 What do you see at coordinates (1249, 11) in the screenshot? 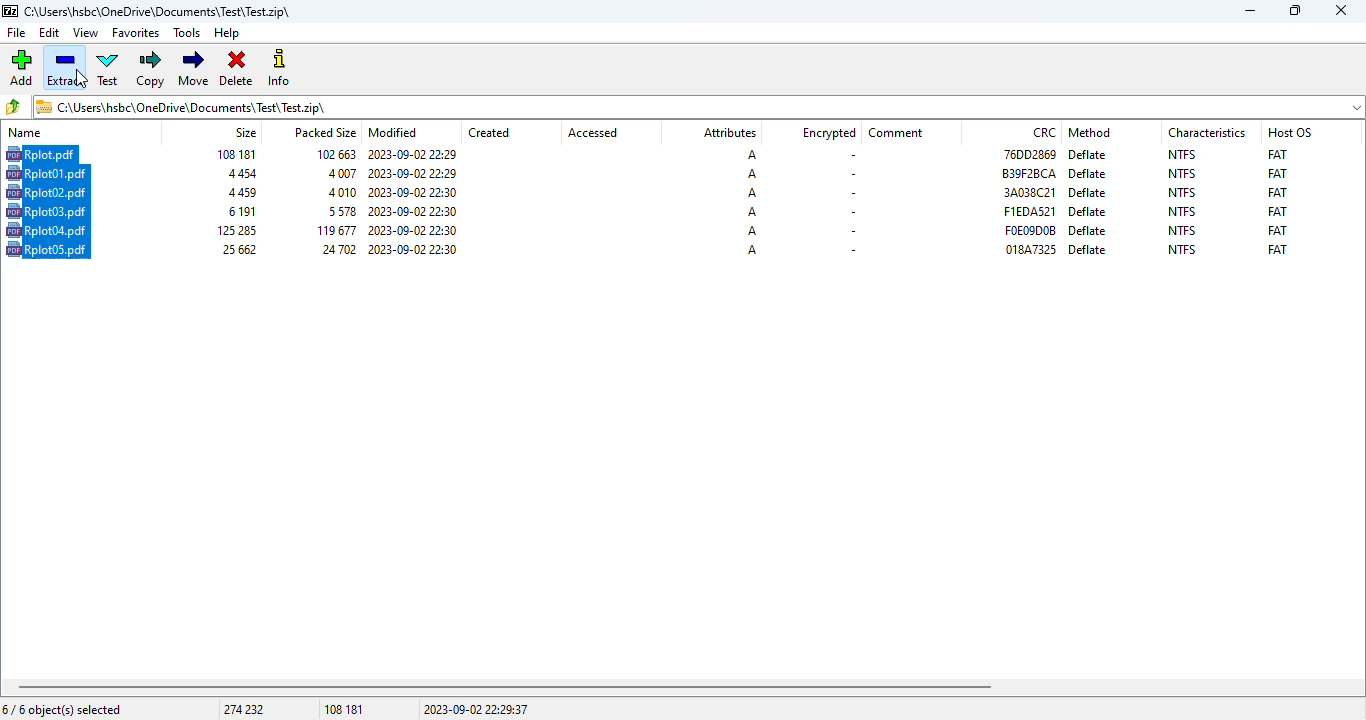
I see `minimize` at bounding box center [1249, 11].